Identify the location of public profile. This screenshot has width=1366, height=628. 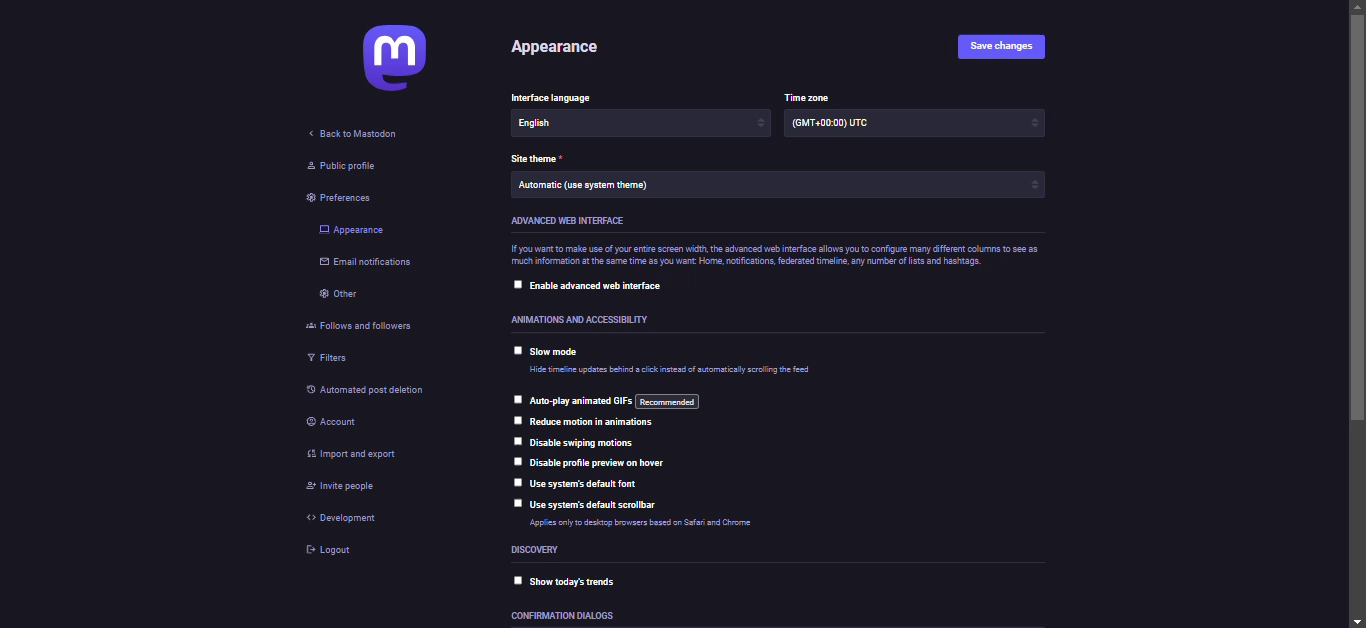
(337, 167).